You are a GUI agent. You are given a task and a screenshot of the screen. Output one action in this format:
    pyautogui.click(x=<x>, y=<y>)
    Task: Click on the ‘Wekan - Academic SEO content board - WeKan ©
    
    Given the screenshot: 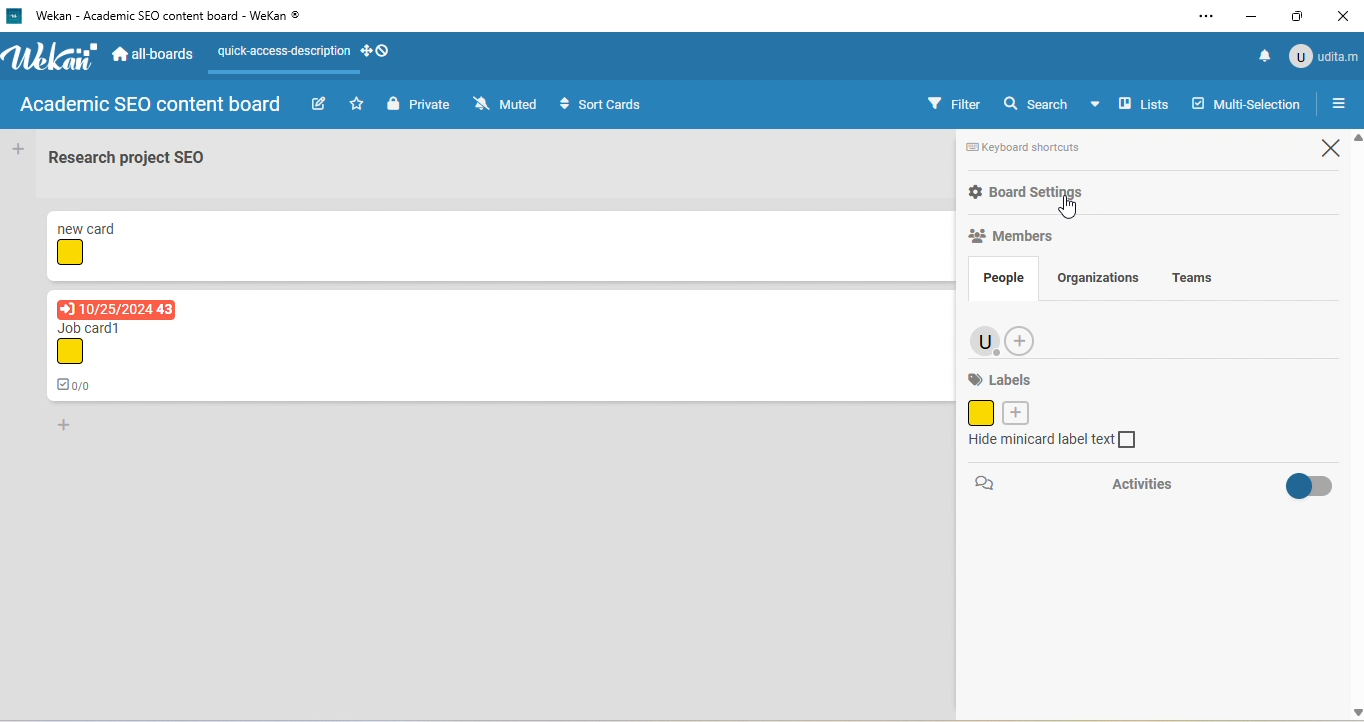 What is the action you would take?
    pyautogui.click(x=176, y=16)
    